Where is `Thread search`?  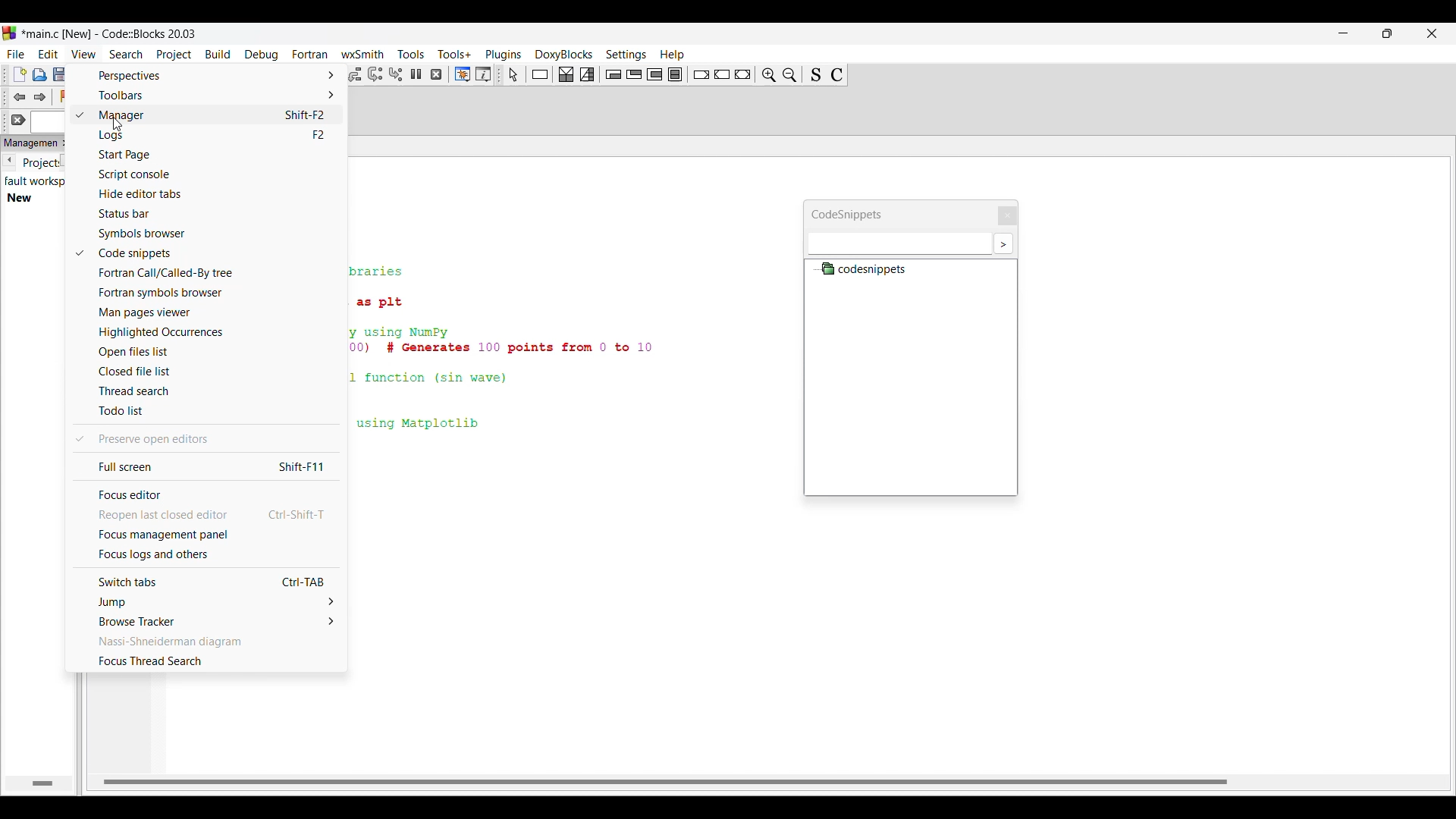
Thread search is located at coordinates (216, 391).